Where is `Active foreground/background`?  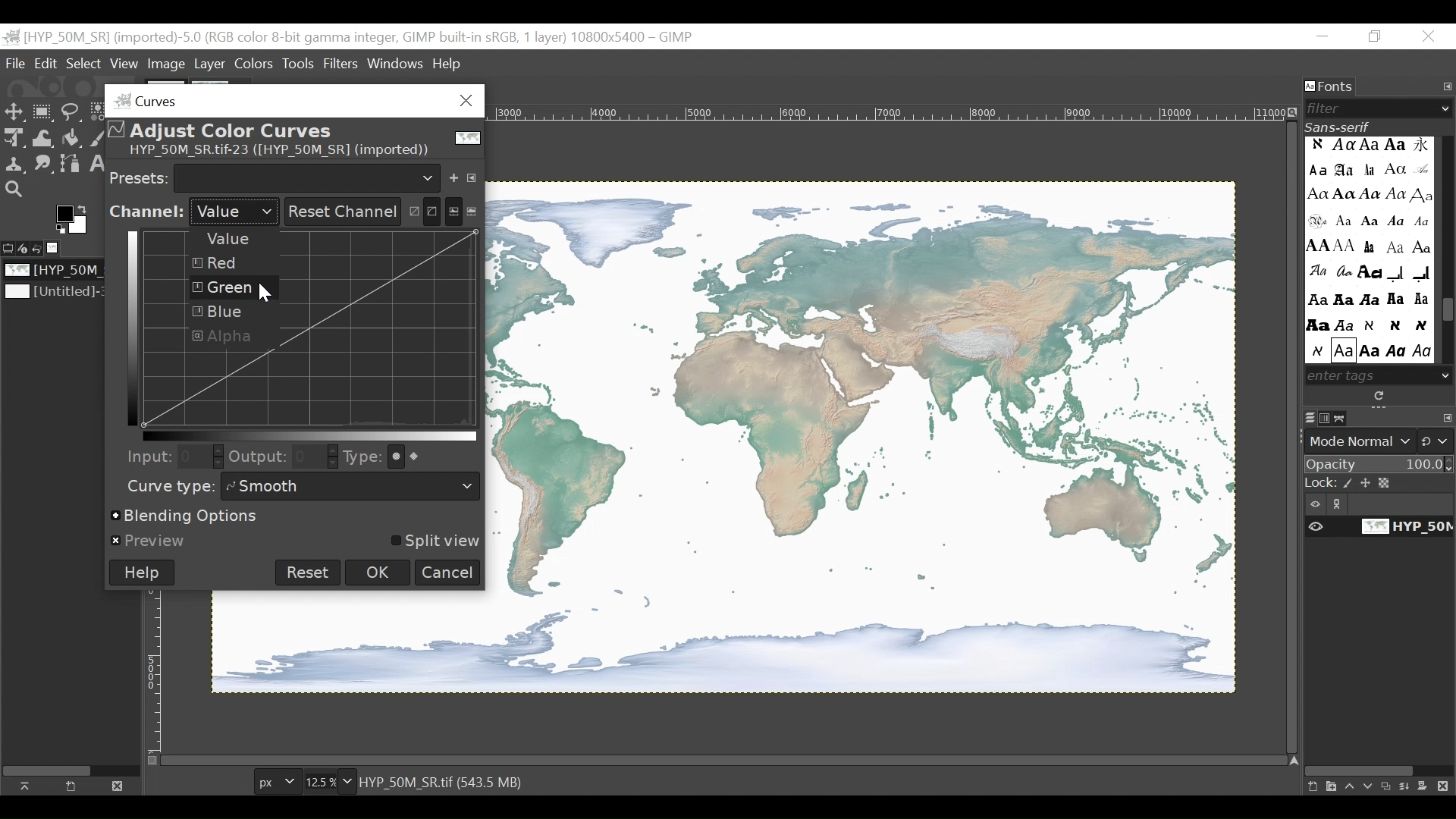 Active foreground/background is located at coordinates (75, 219).